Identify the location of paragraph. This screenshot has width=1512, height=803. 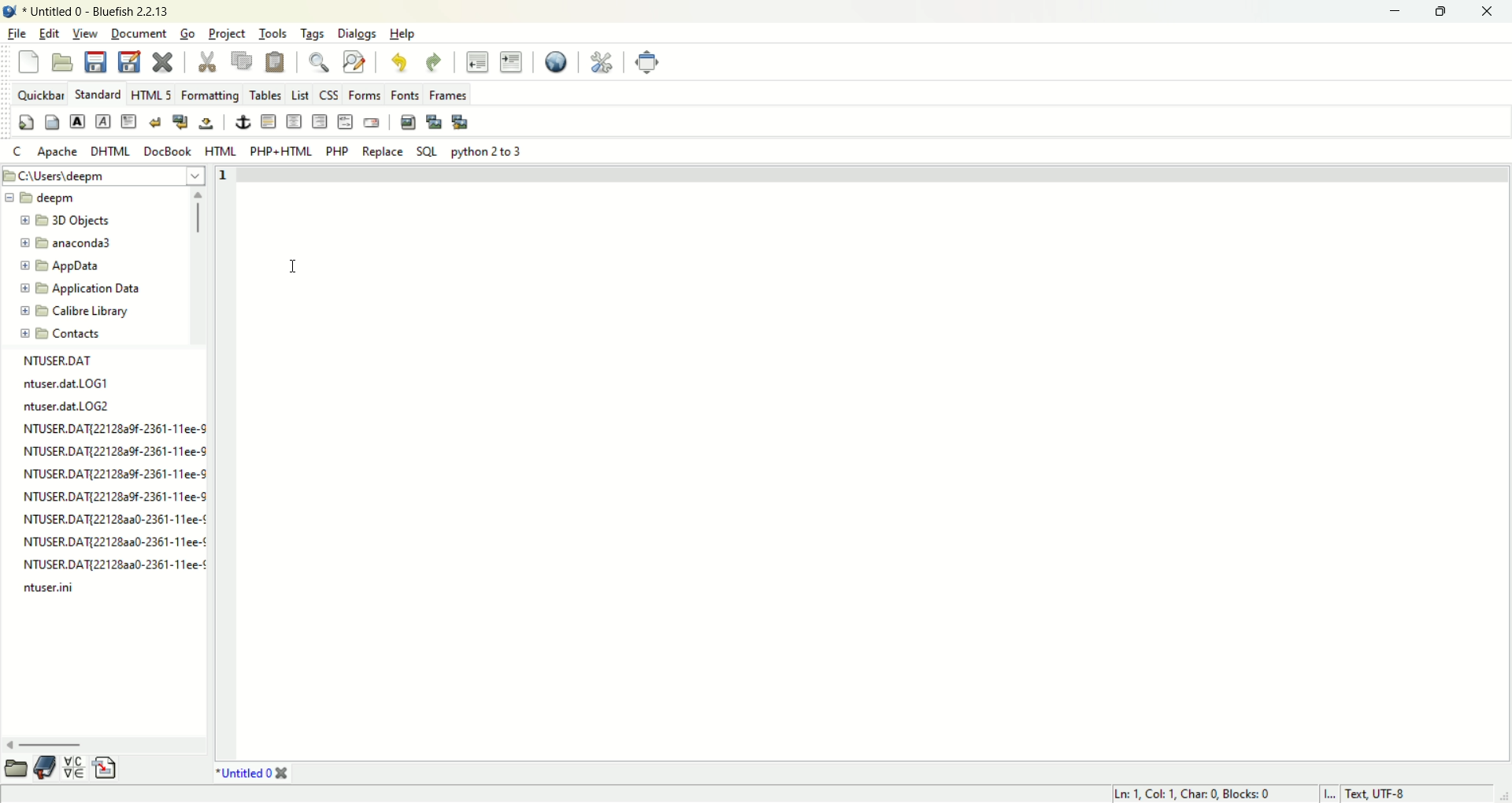
(130, 122).